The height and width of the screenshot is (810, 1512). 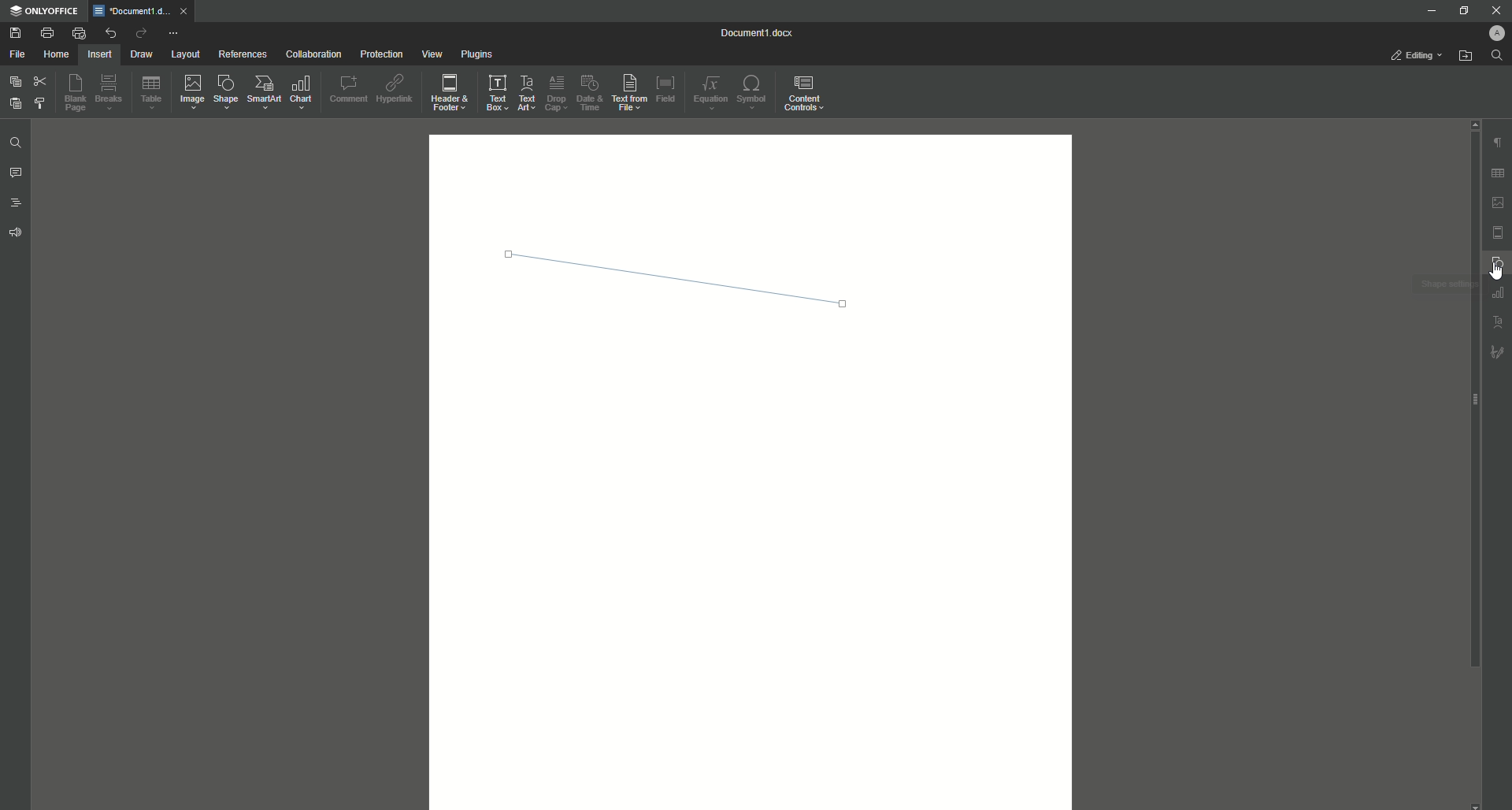 What do you see at coordinates (1497, 10) in the screenshot?
I see `Close` at bounding box center [1497, 10].